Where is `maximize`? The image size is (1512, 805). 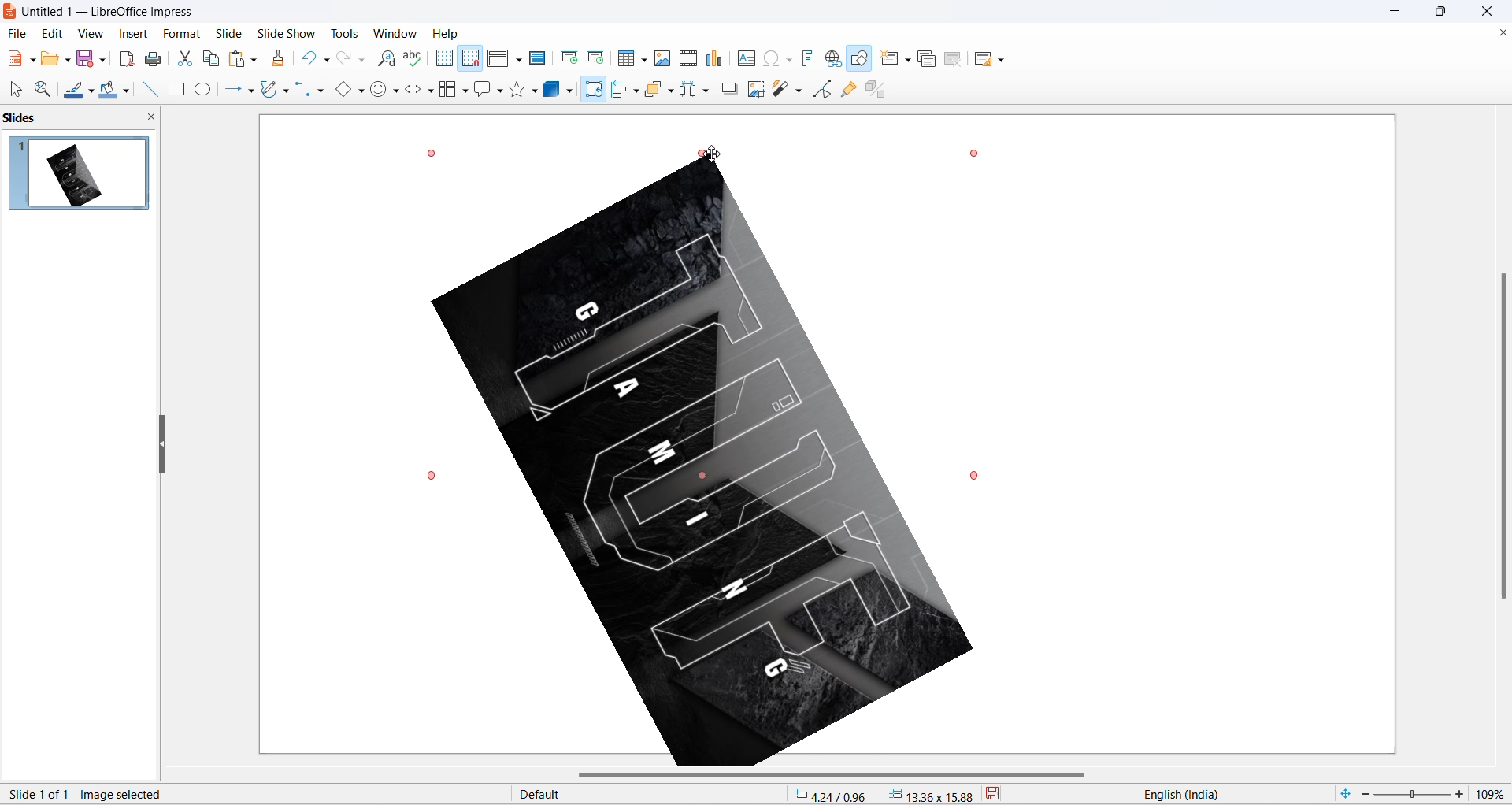
maximize is located at coordinates (1447, 14).